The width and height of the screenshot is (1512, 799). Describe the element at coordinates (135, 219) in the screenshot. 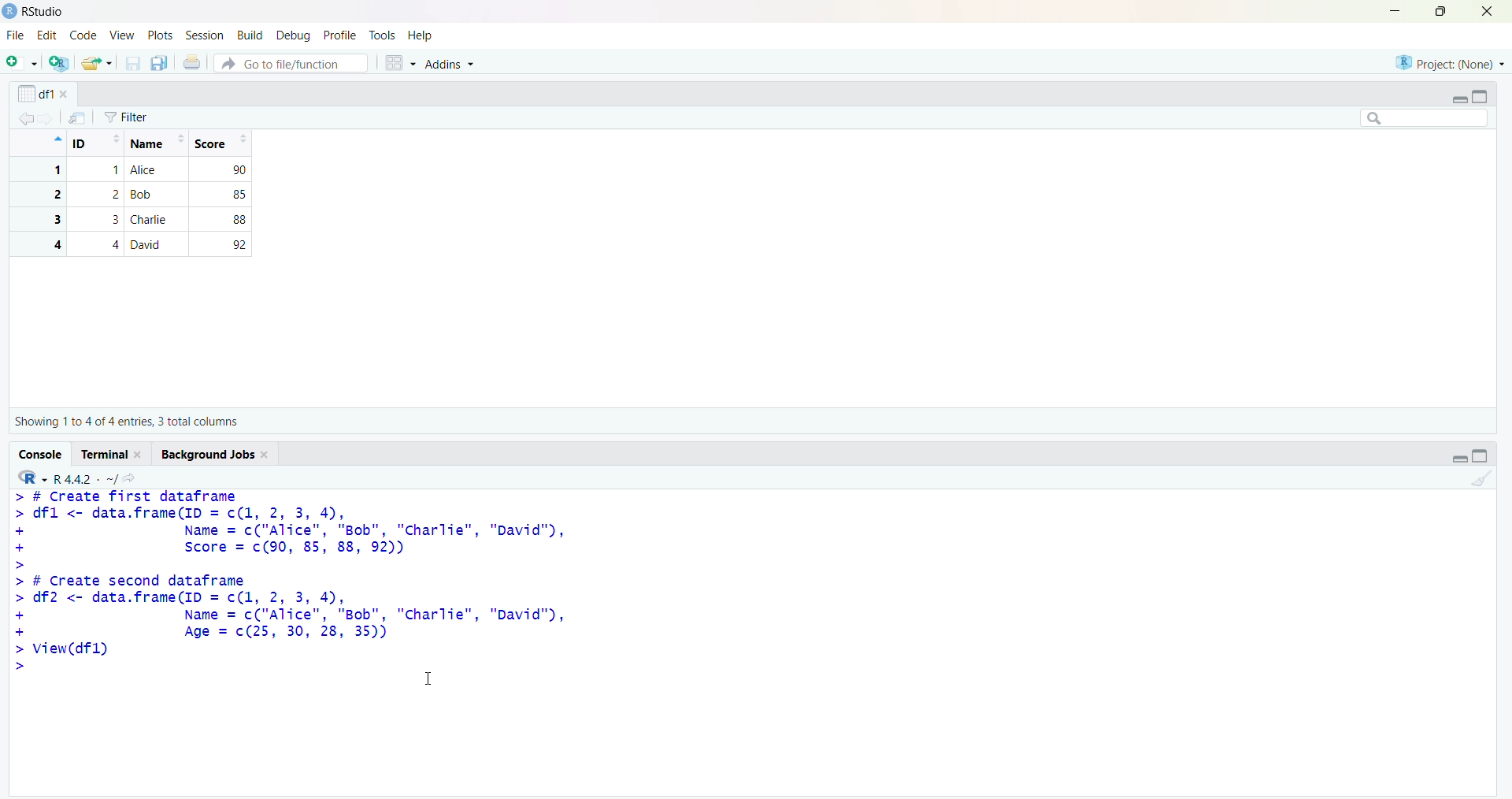

I see `3 3 Charlie 88` at that location.